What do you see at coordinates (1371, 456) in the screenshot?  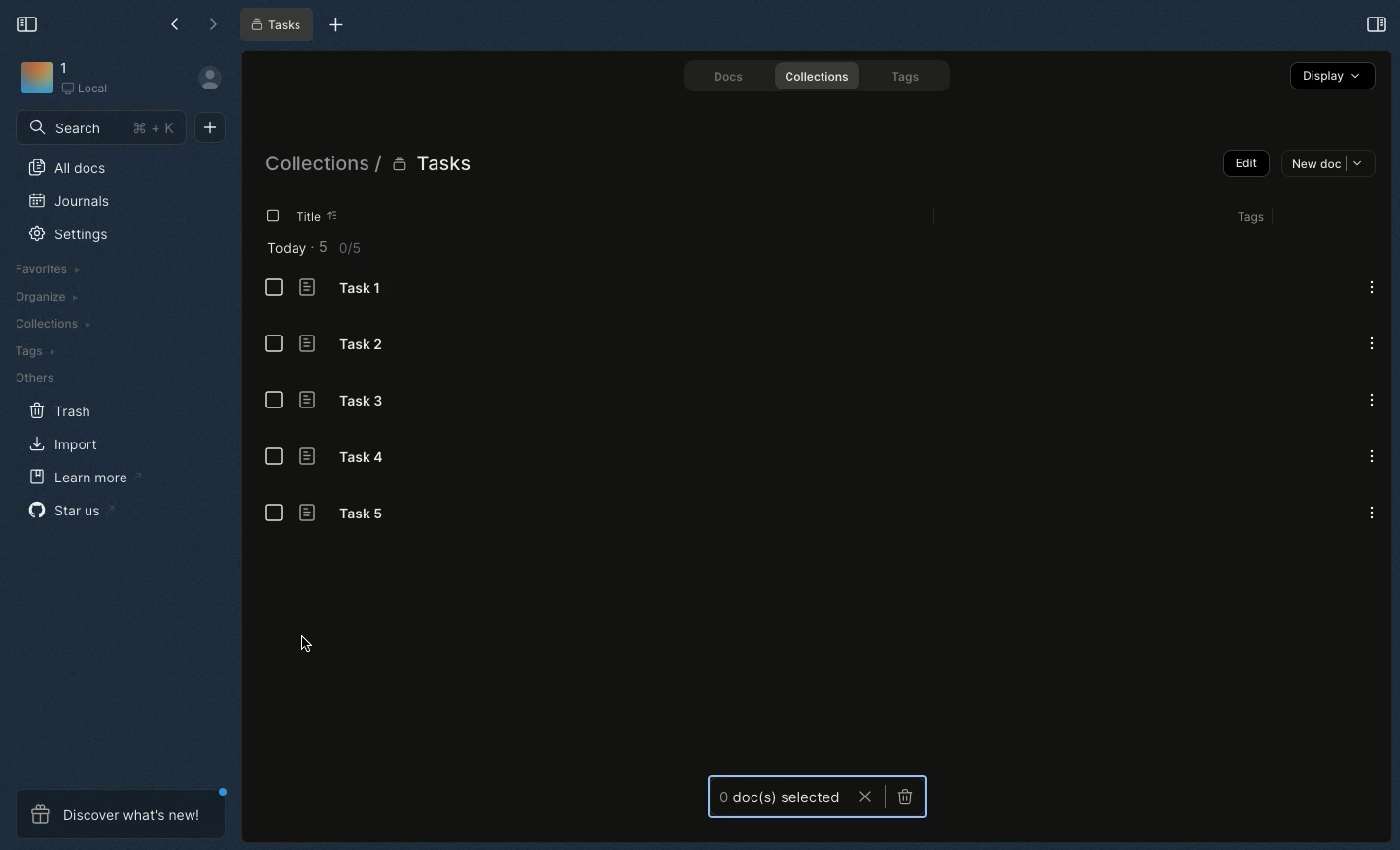 I see `Options` at bounding box center [1371, 456].